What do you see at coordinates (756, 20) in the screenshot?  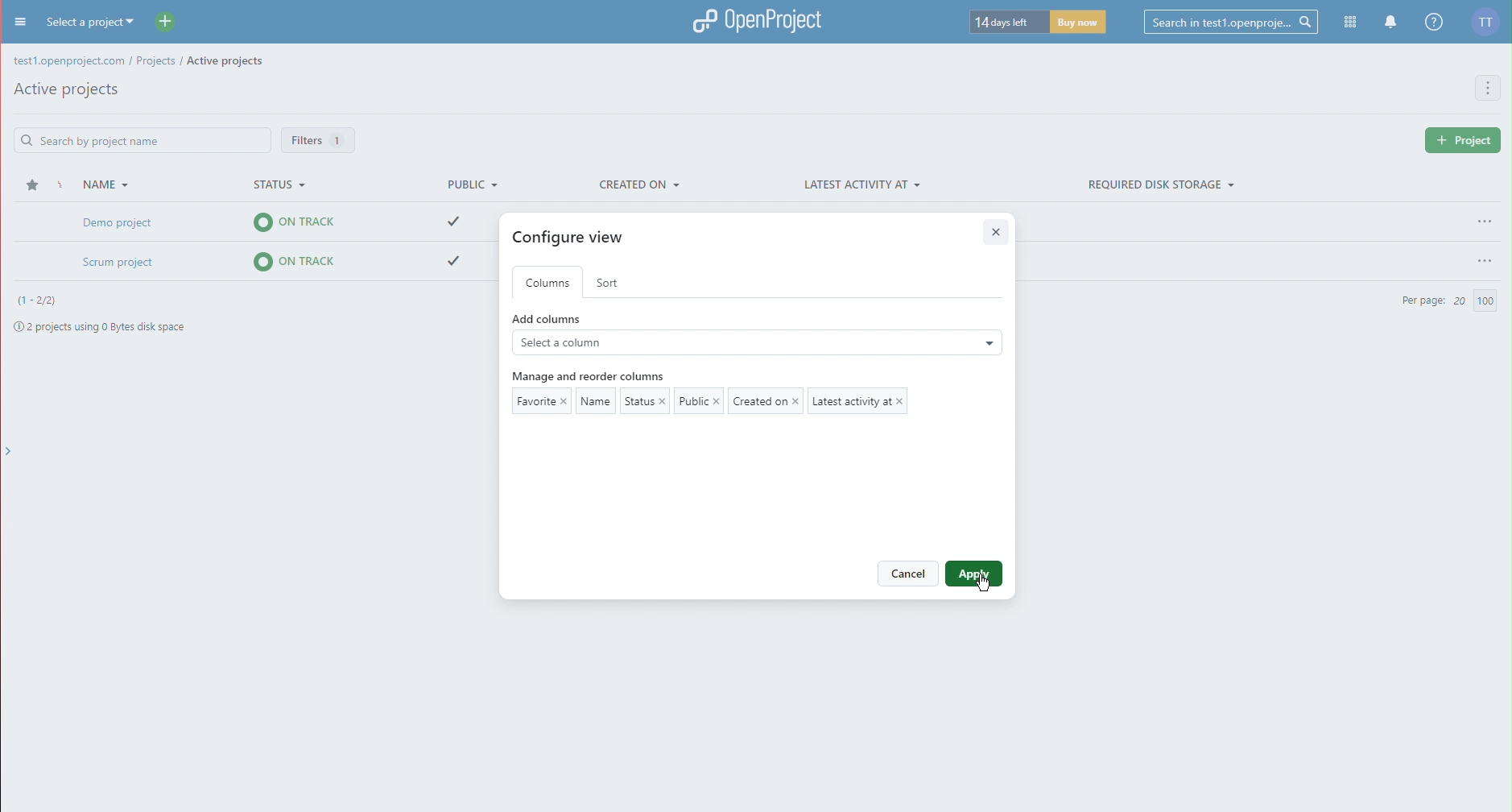 I see `OpenProject` at bounding box center [756, 20].